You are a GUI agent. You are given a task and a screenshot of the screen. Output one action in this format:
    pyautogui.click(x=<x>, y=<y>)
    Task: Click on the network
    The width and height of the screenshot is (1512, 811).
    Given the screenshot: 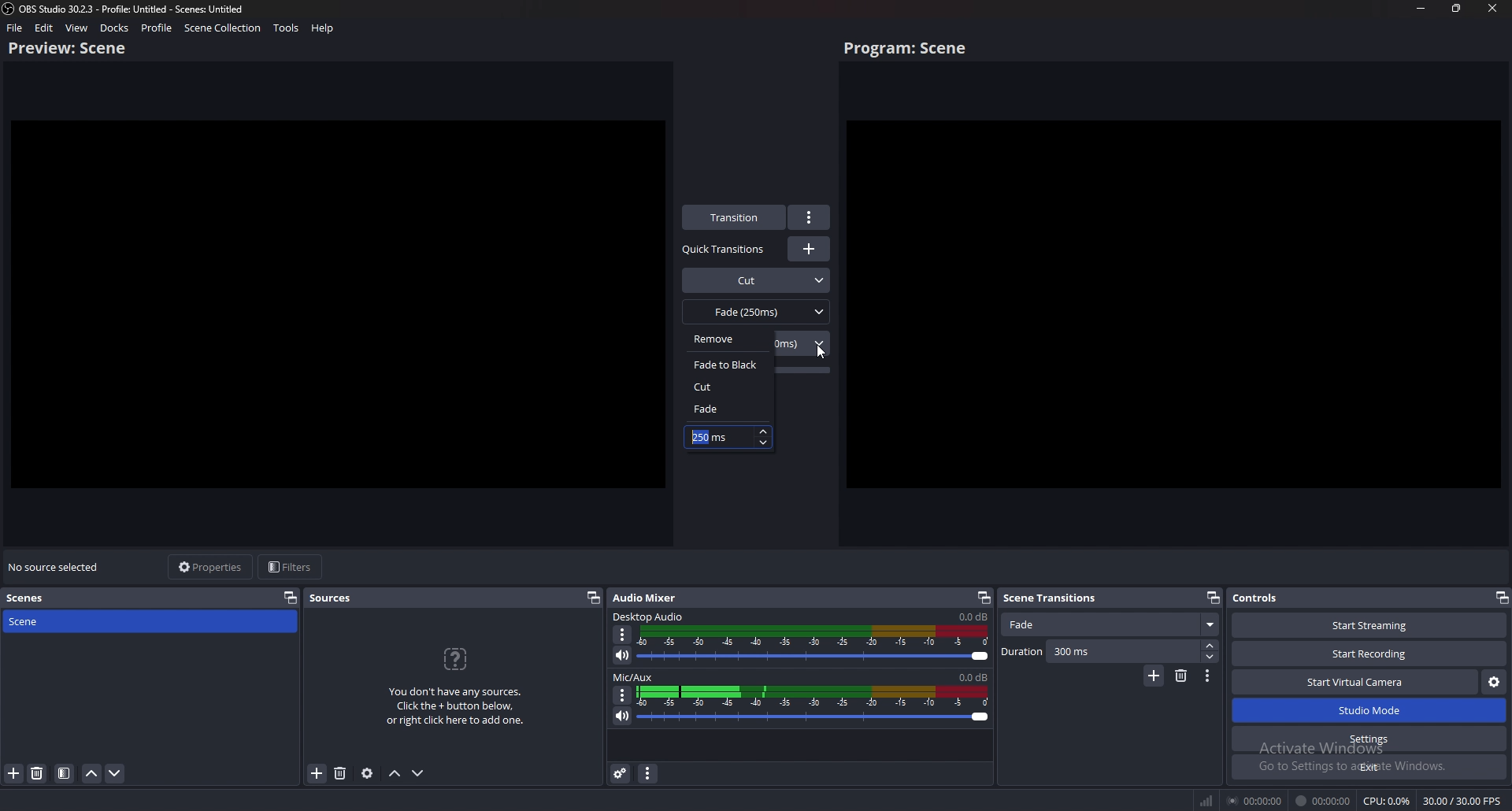 What is the action you would take?
    pyautogui.click(x=1204, y=801)
    